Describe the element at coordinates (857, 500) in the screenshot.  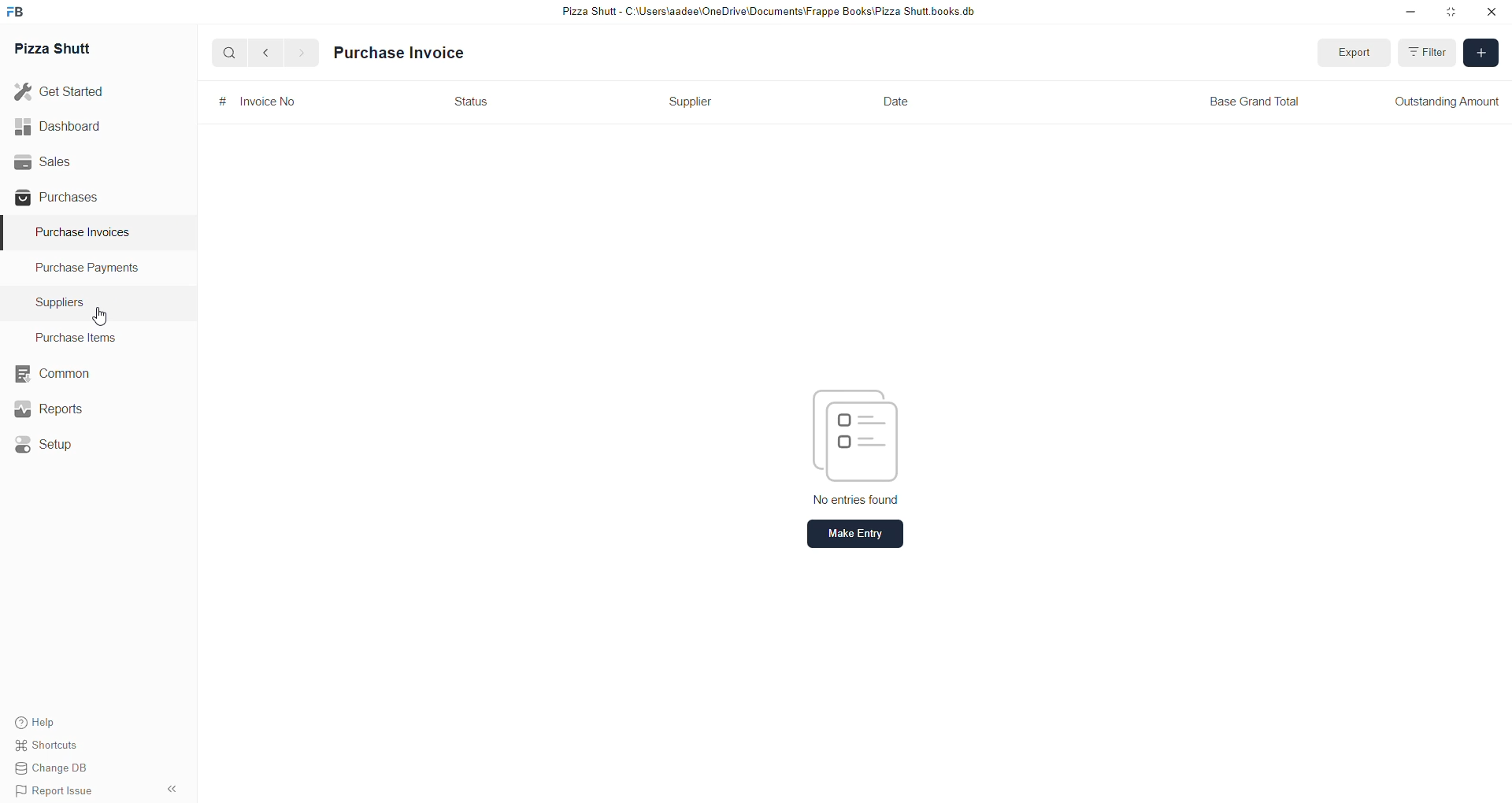
I see `No entries found` at that location.